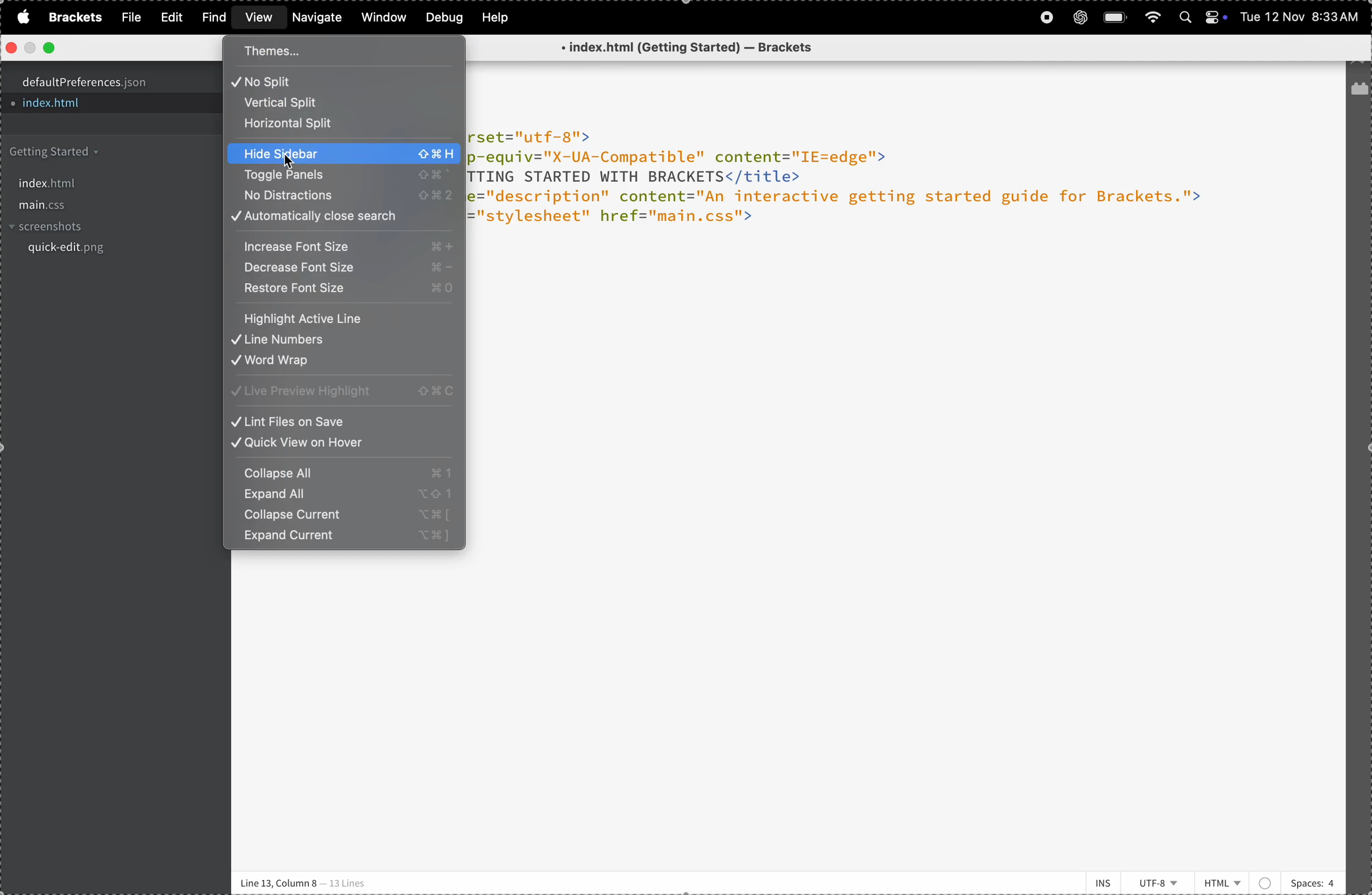  What do you see at coordinates (382, 17) in the screenshot?
I see `window` at bounding box center [382, 17].